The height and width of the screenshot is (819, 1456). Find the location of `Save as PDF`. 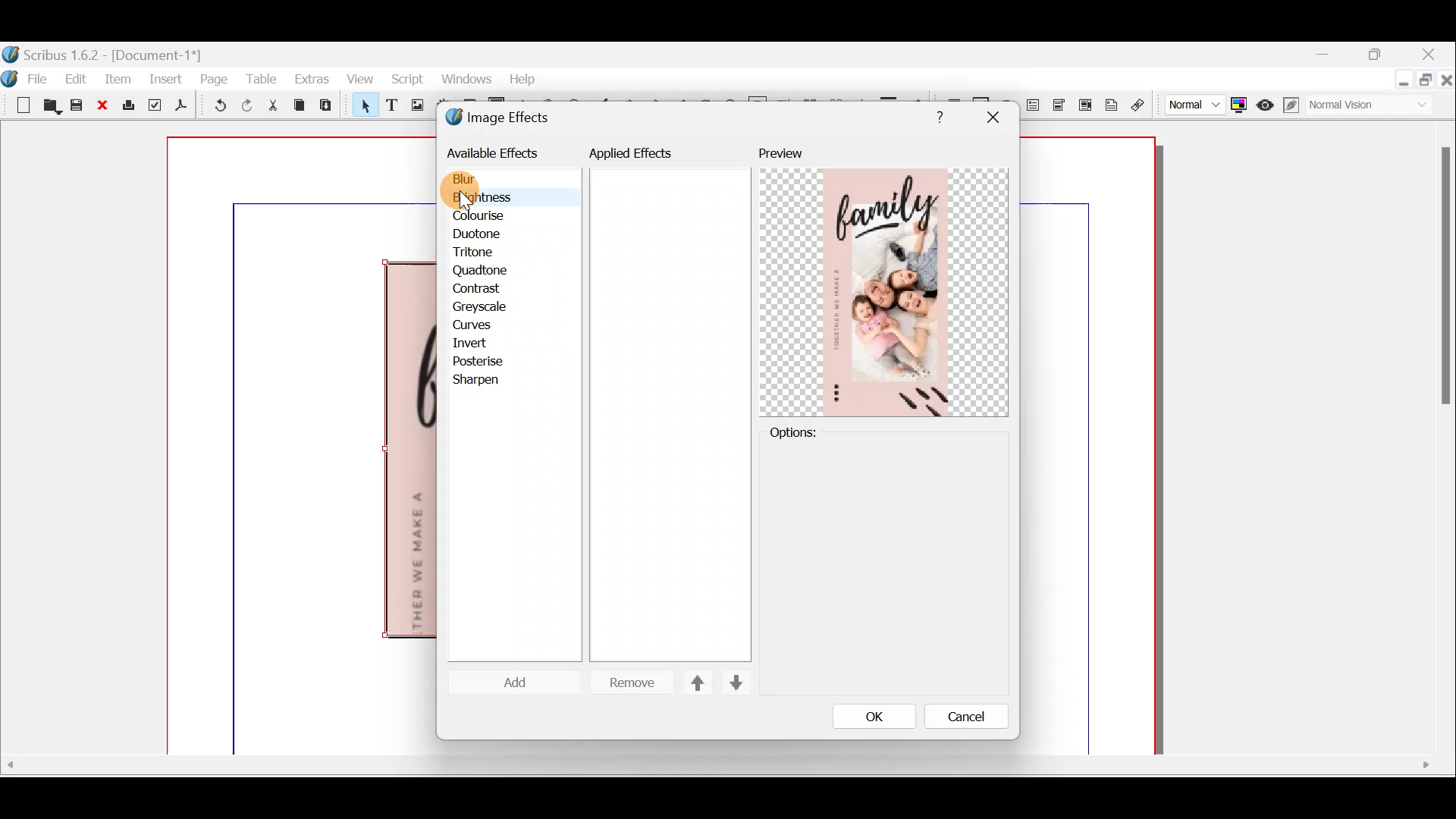

Save as PDF is located at coordinates (182, 108).